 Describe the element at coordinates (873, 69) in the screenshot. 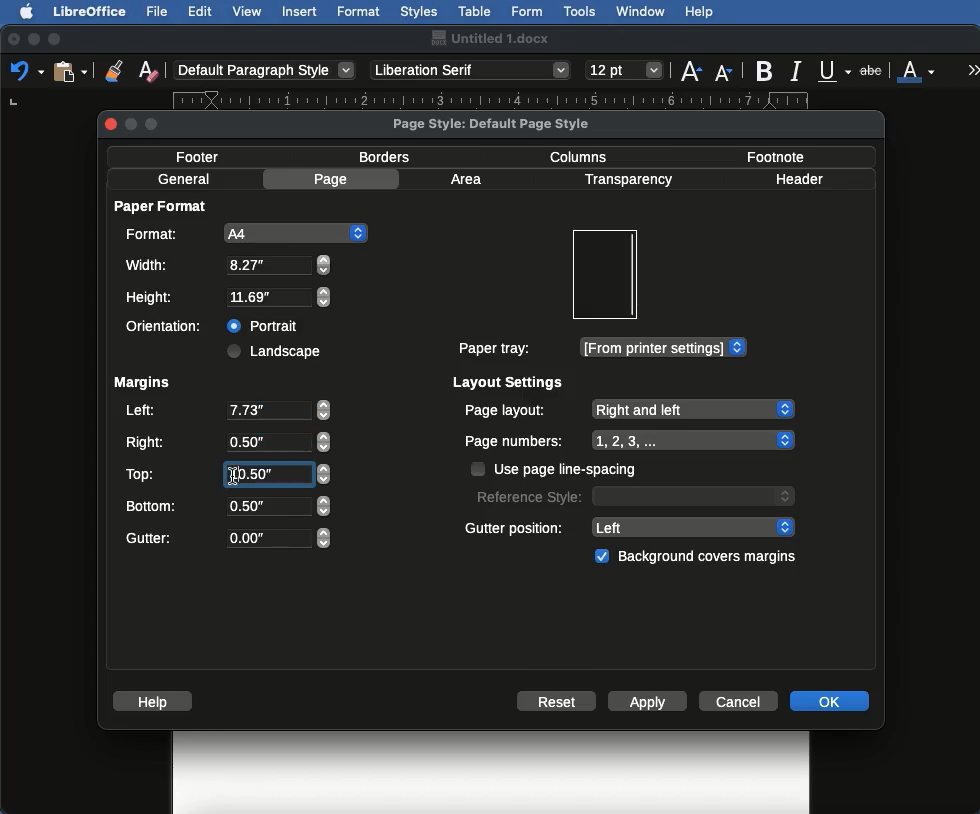

I see `Strikethrough ` at that location.